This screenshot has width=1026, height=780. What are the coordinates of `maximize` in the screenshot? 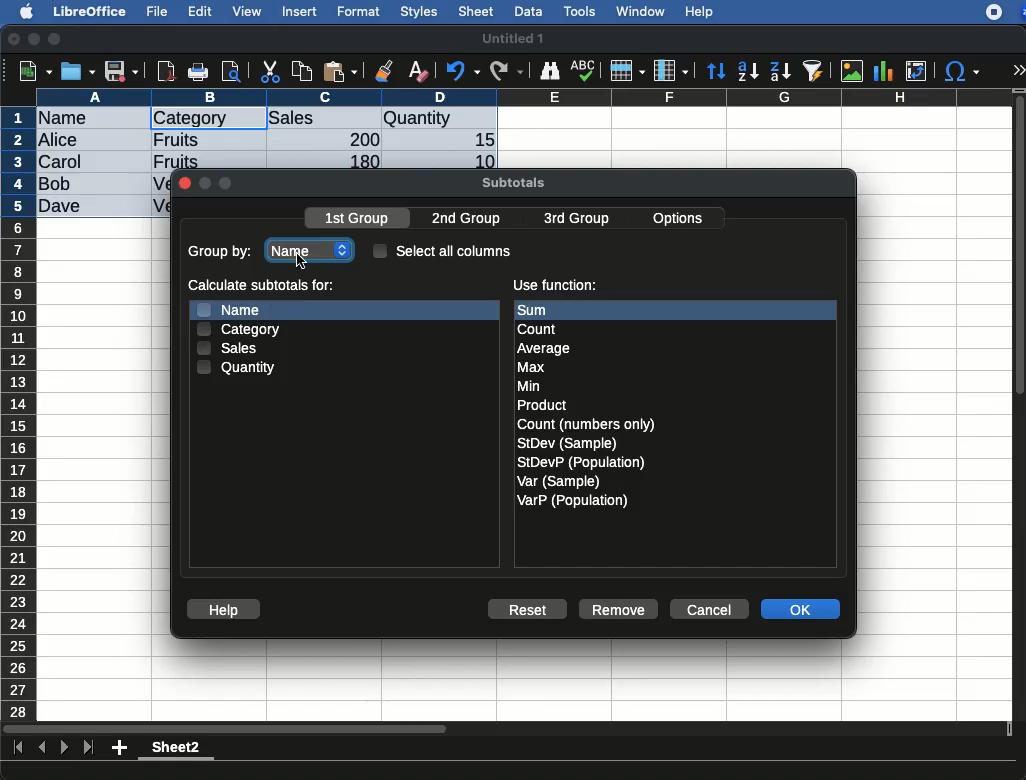 It's located at (57, 40).